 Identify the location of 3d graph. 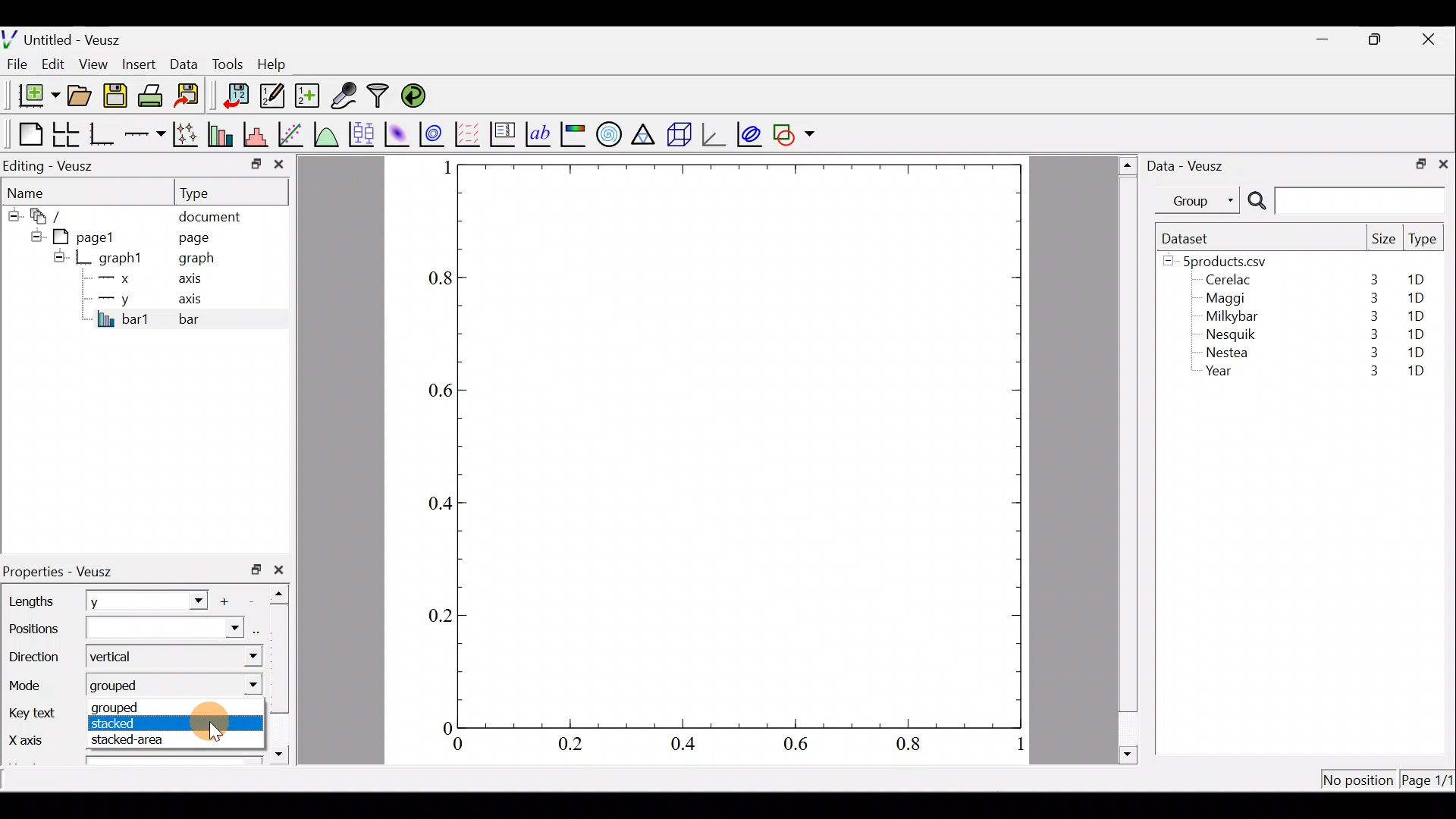
(714, 133).